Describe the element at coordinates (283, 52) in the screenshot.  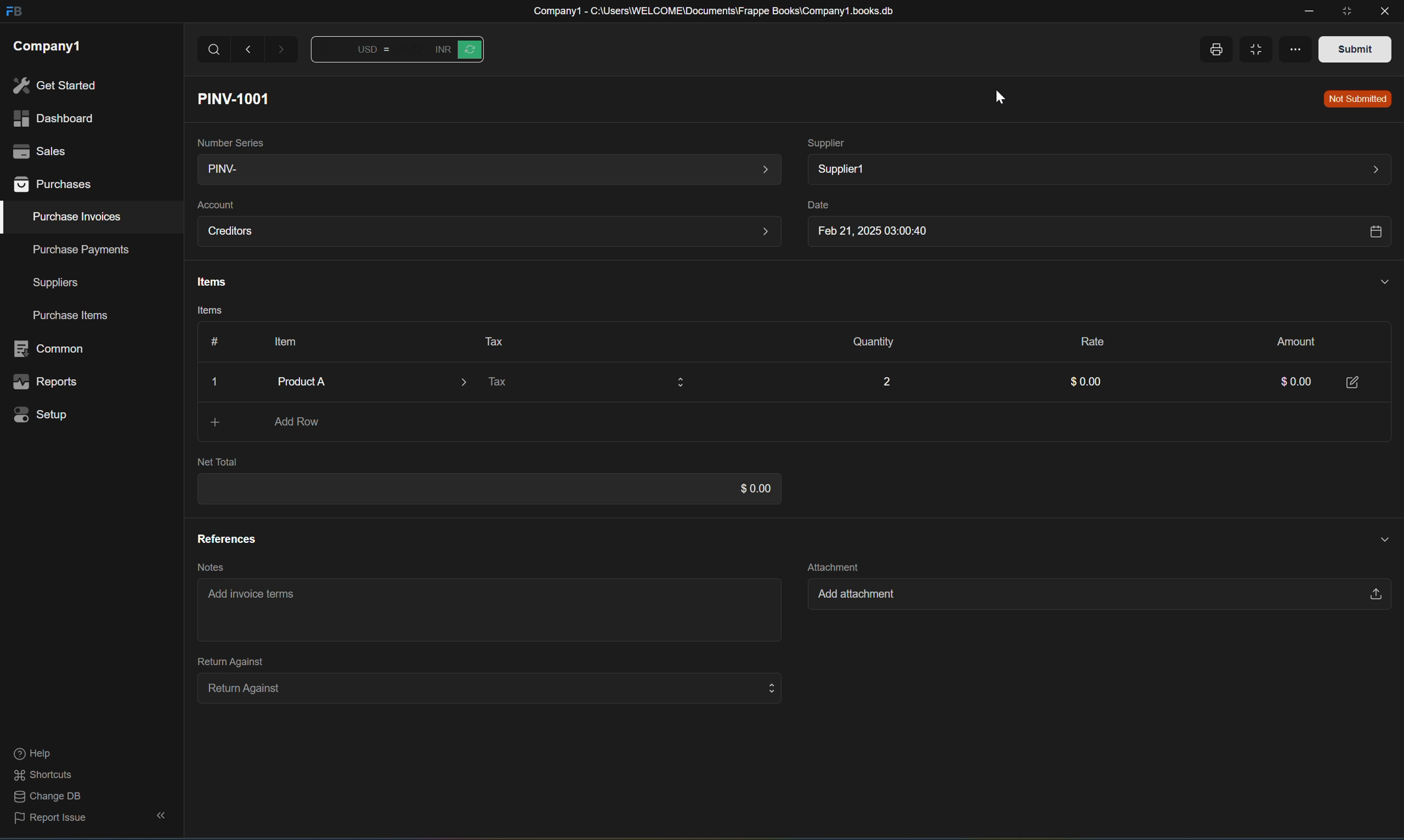
I see `Forward` at that location.